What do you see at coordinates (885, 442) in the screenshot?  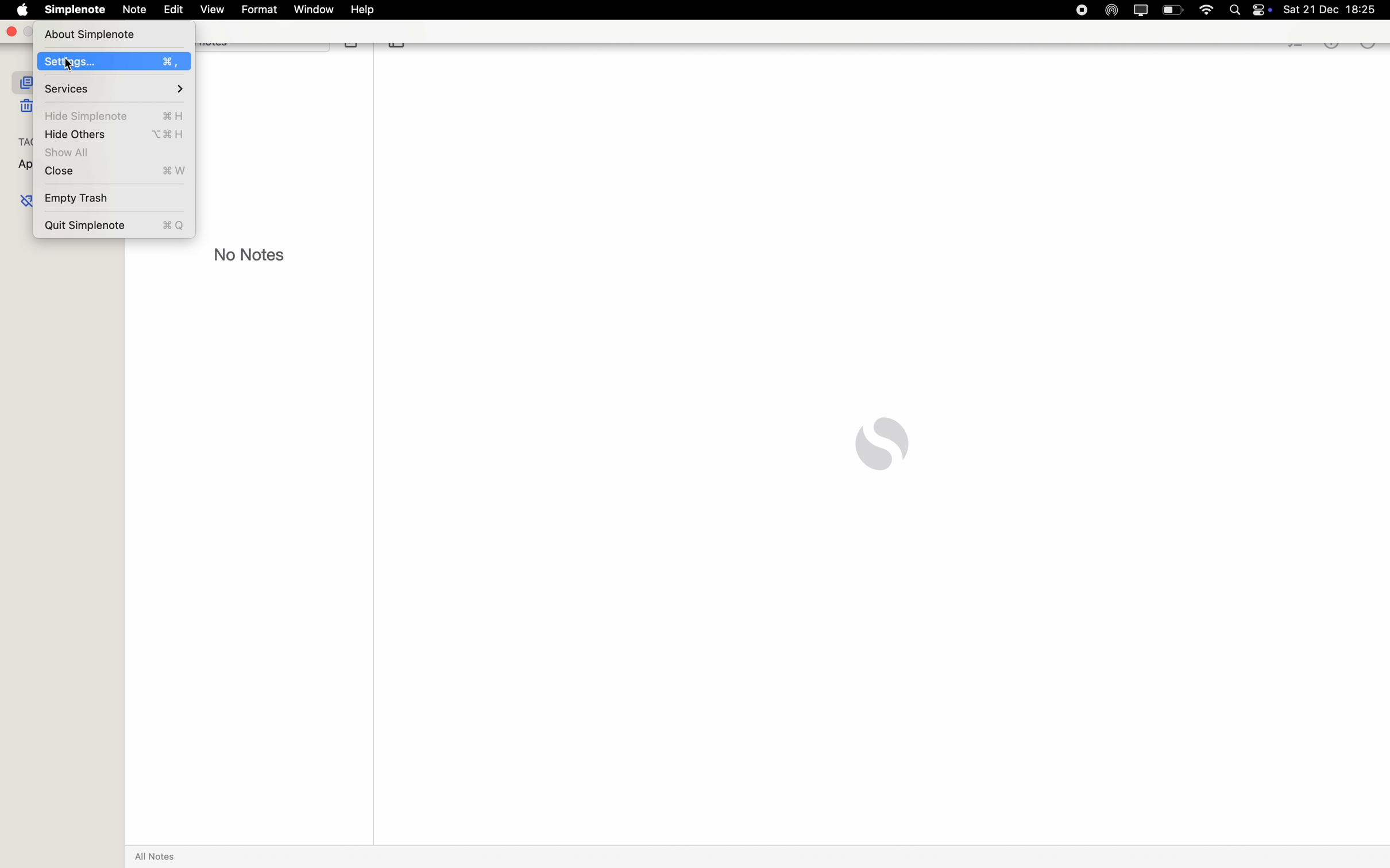 I see `Simplenote logo` at bounding box center [885, 442].